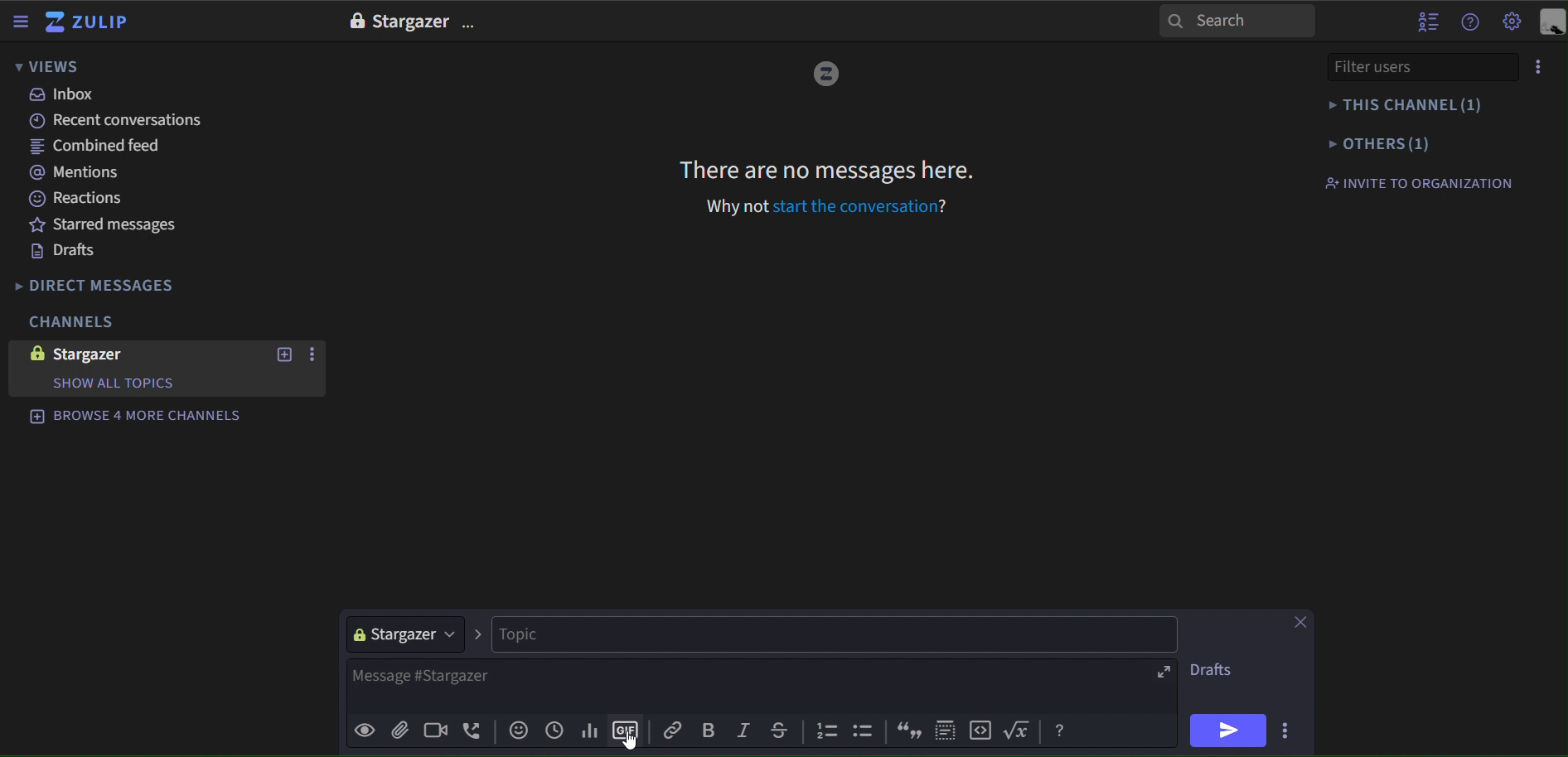  Describe the element at coordinates (105, 354) in the screenshot. I see `stargazer` at that location.